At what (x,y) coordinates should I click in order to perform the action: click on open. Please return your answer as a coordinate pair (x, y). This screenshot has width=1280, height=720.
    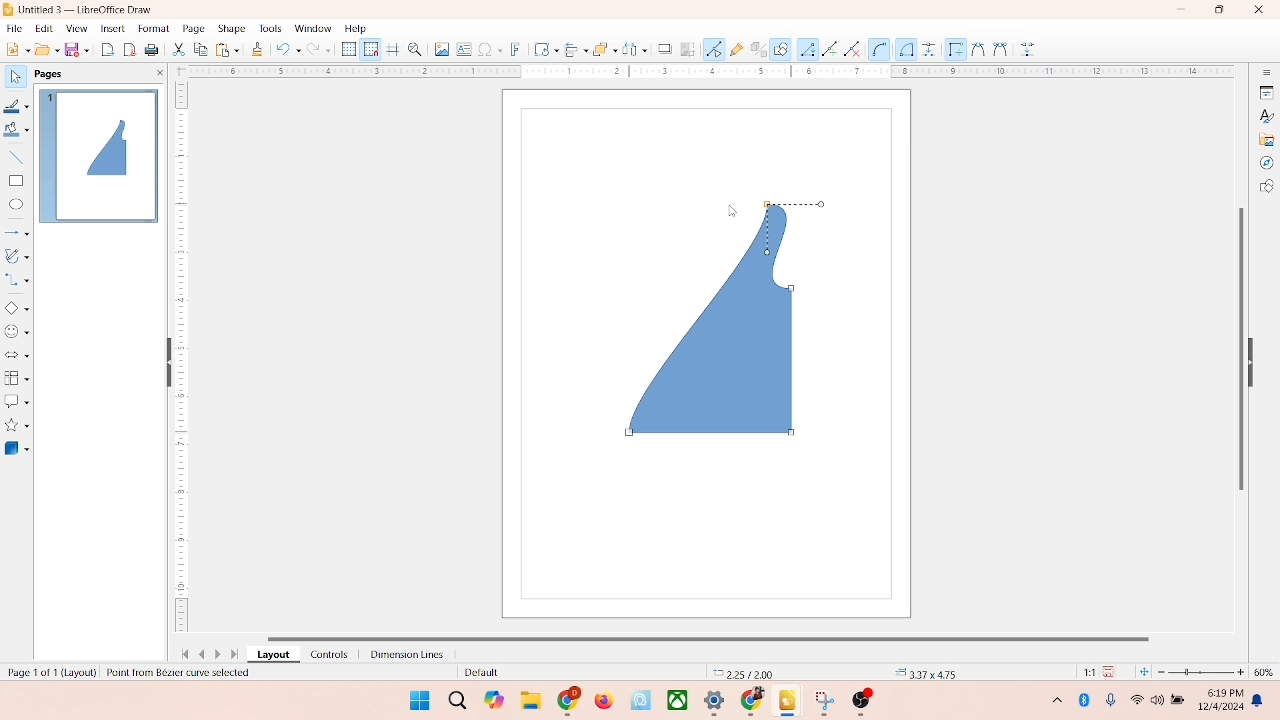
    Looking at the image, I should click on (45, 49).